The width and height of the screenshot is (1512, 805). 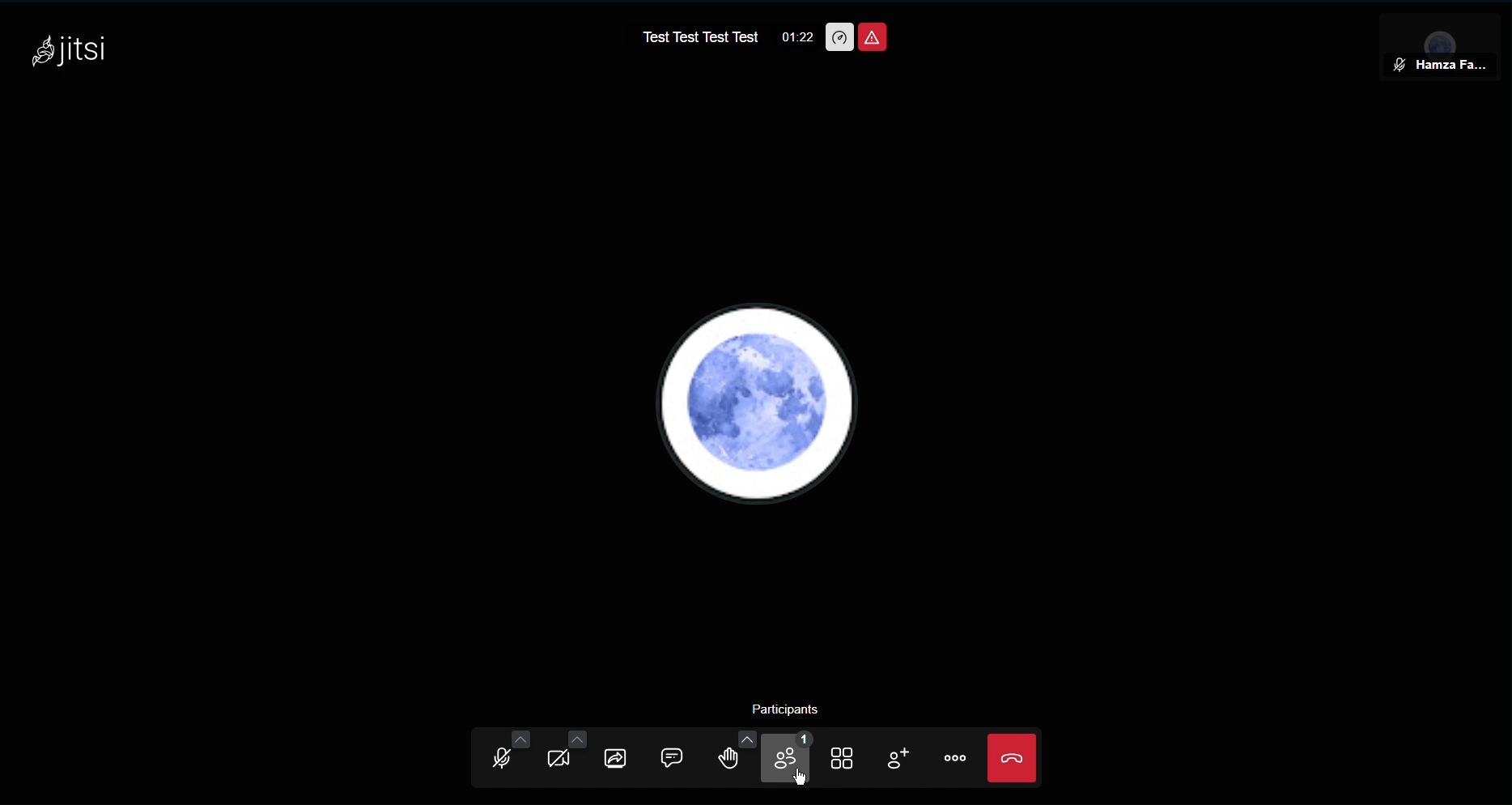 I want to click on end call, so click(x=1012, y=756).